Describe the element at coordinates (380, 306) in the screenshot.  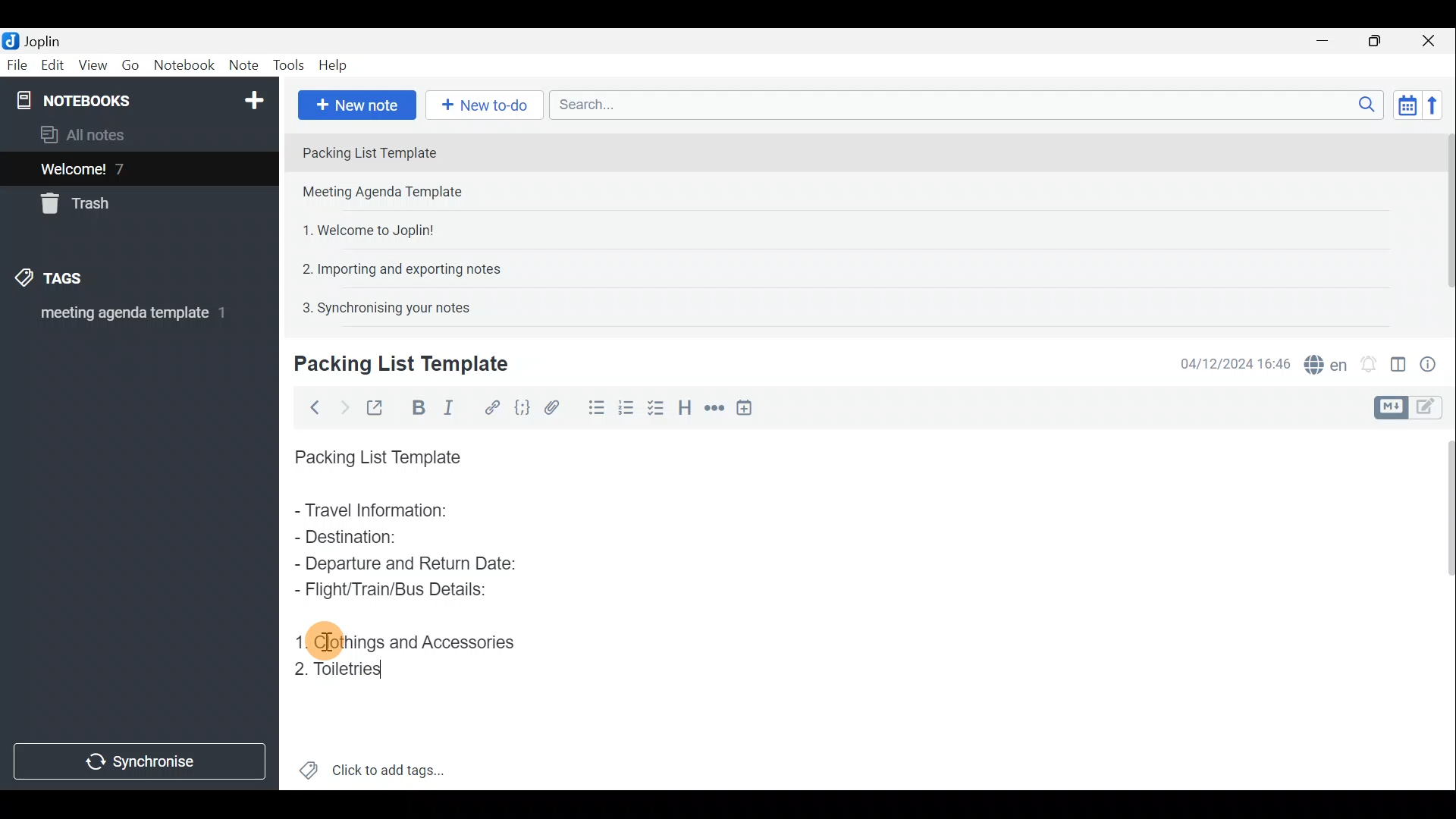
I see `Note 5` at that location.